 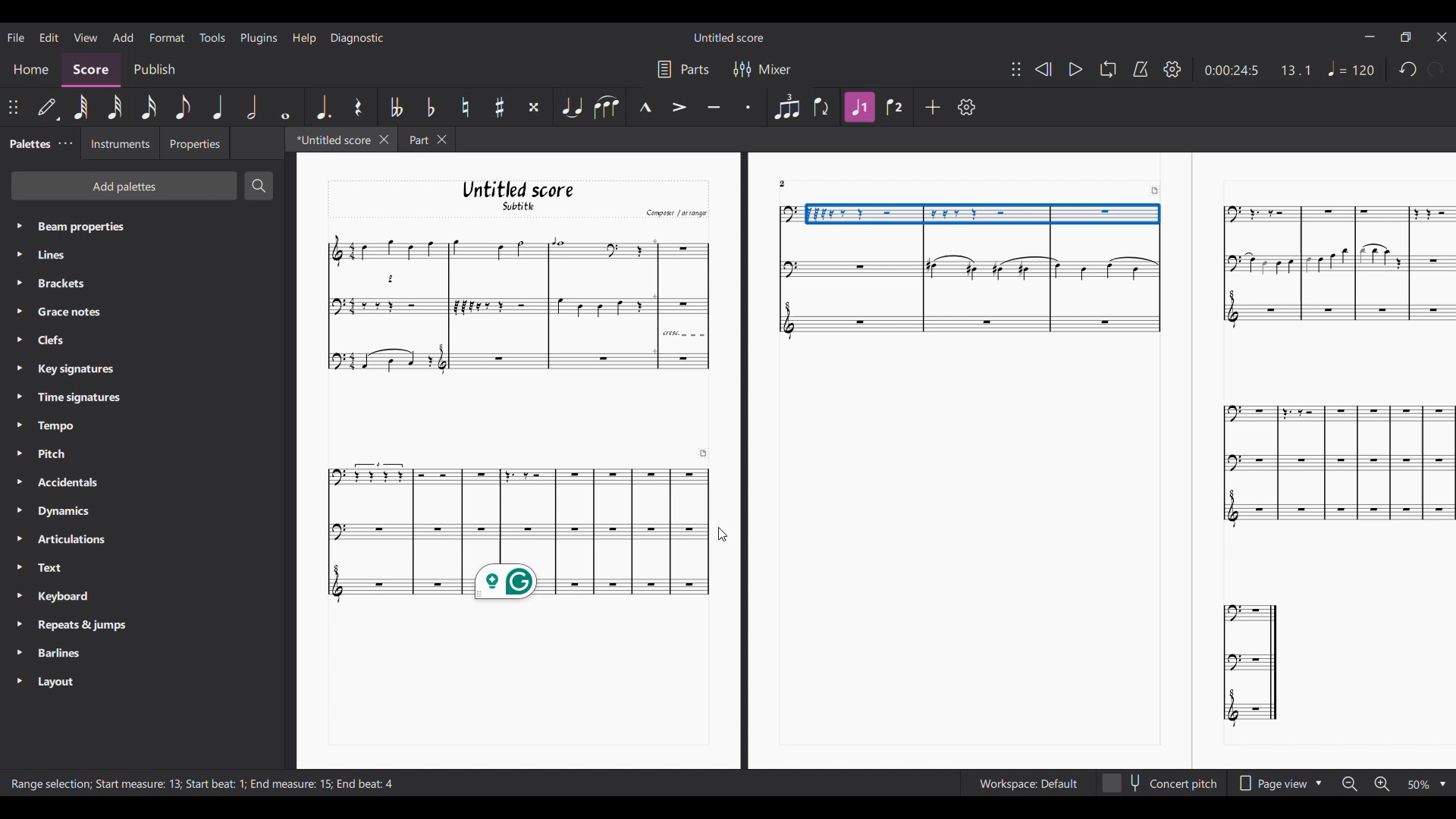 I want to click on Close current tab, so click(x=384, y=139).